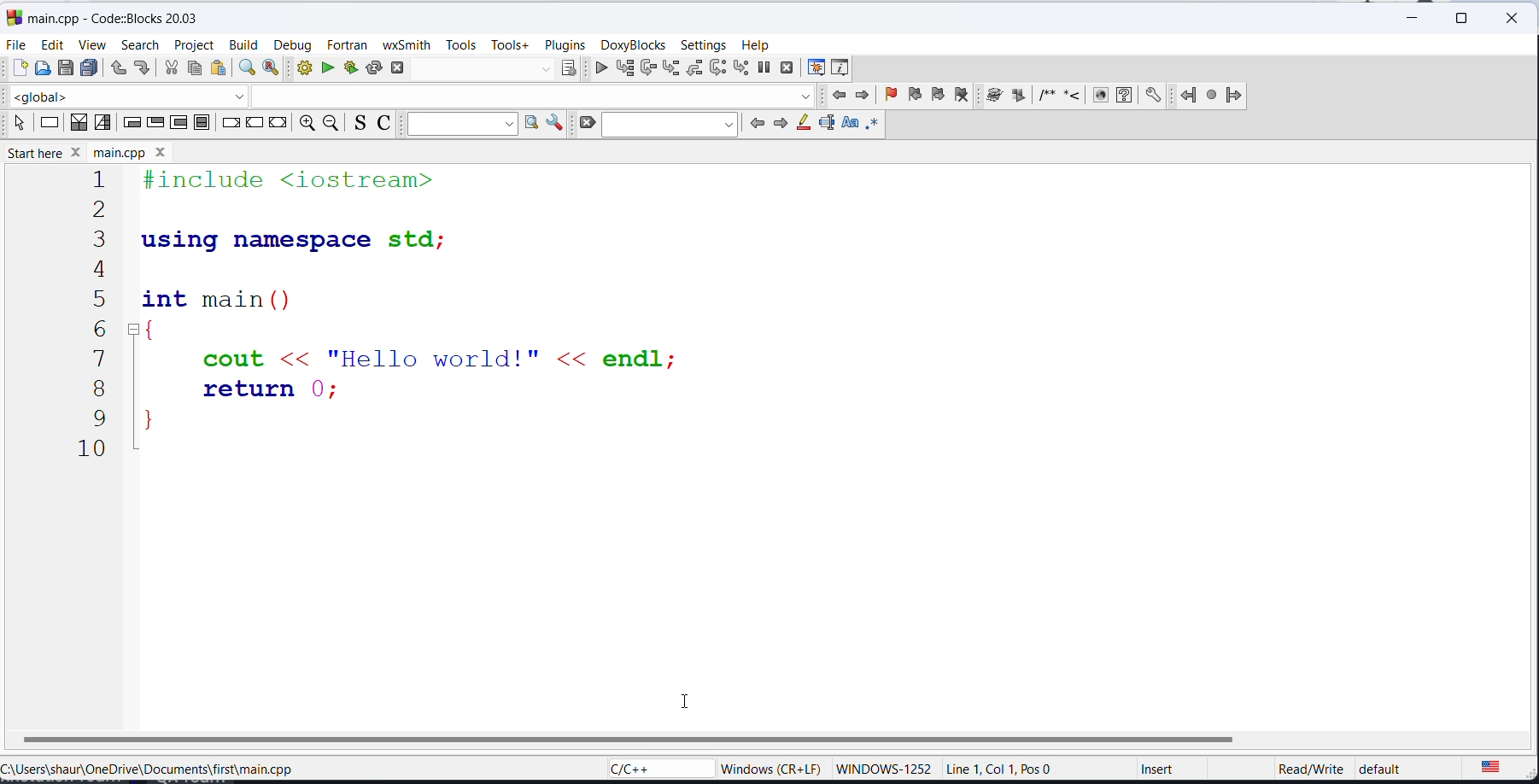 Image resolution: width=1539 pixels, height=784 pixels. I want to click on next jump, so click(1210, 96).